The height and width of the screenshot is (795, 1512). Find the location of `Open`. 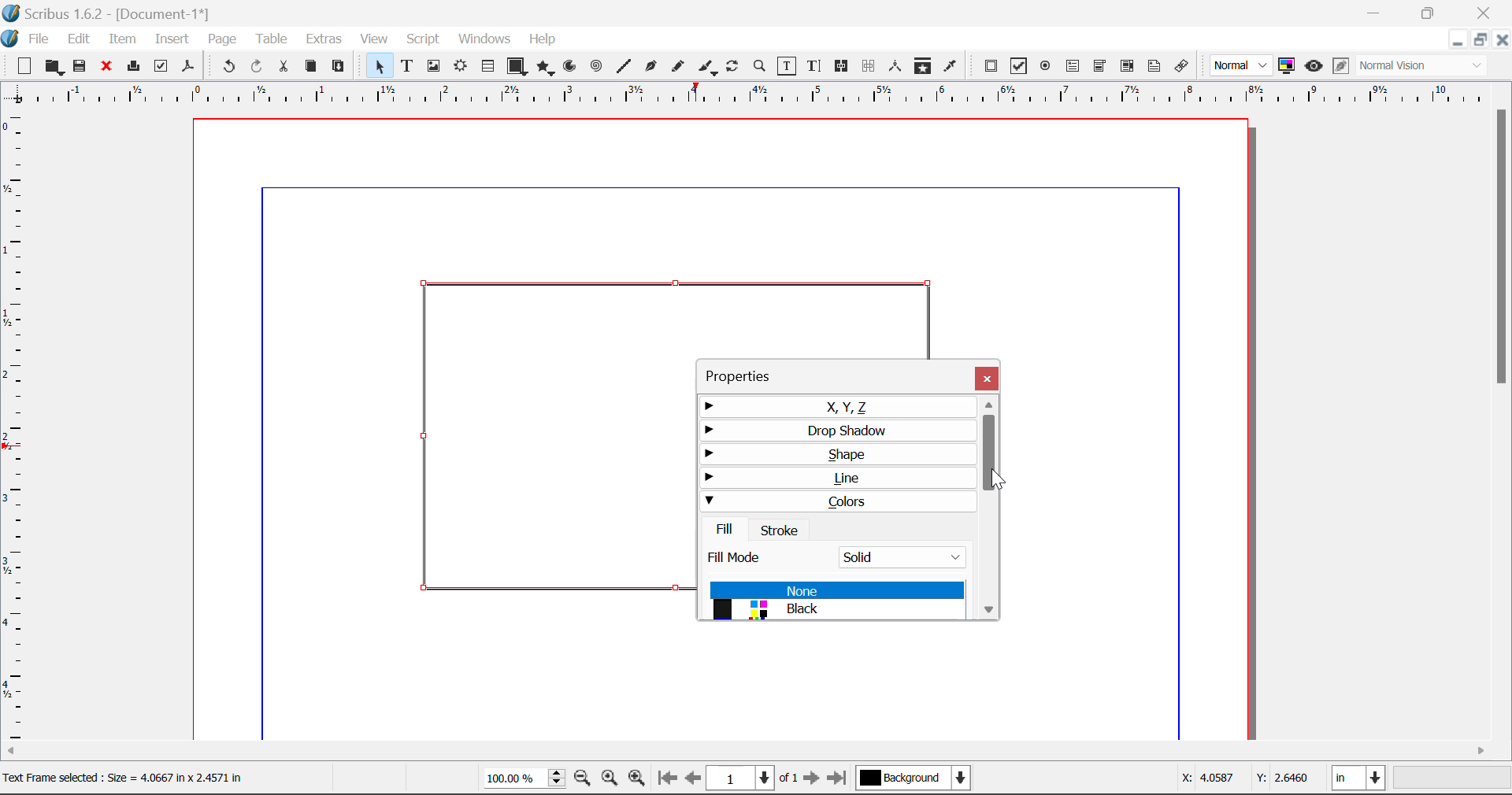

Open is located at coordinates (54, 67).